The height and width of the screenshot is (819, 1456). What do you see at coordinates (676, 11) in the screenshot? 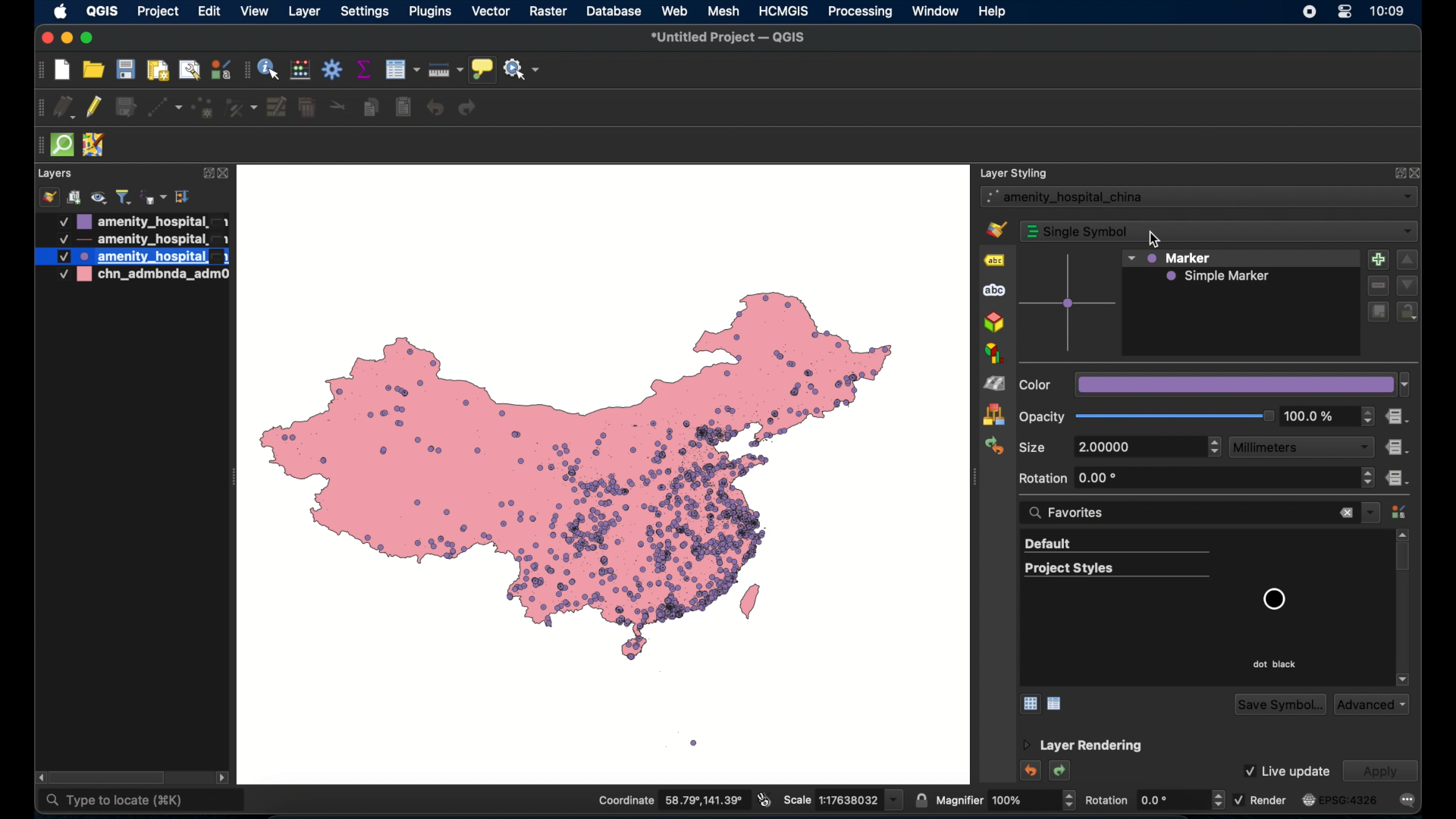
I see `web` at bounding box center [676, 11].